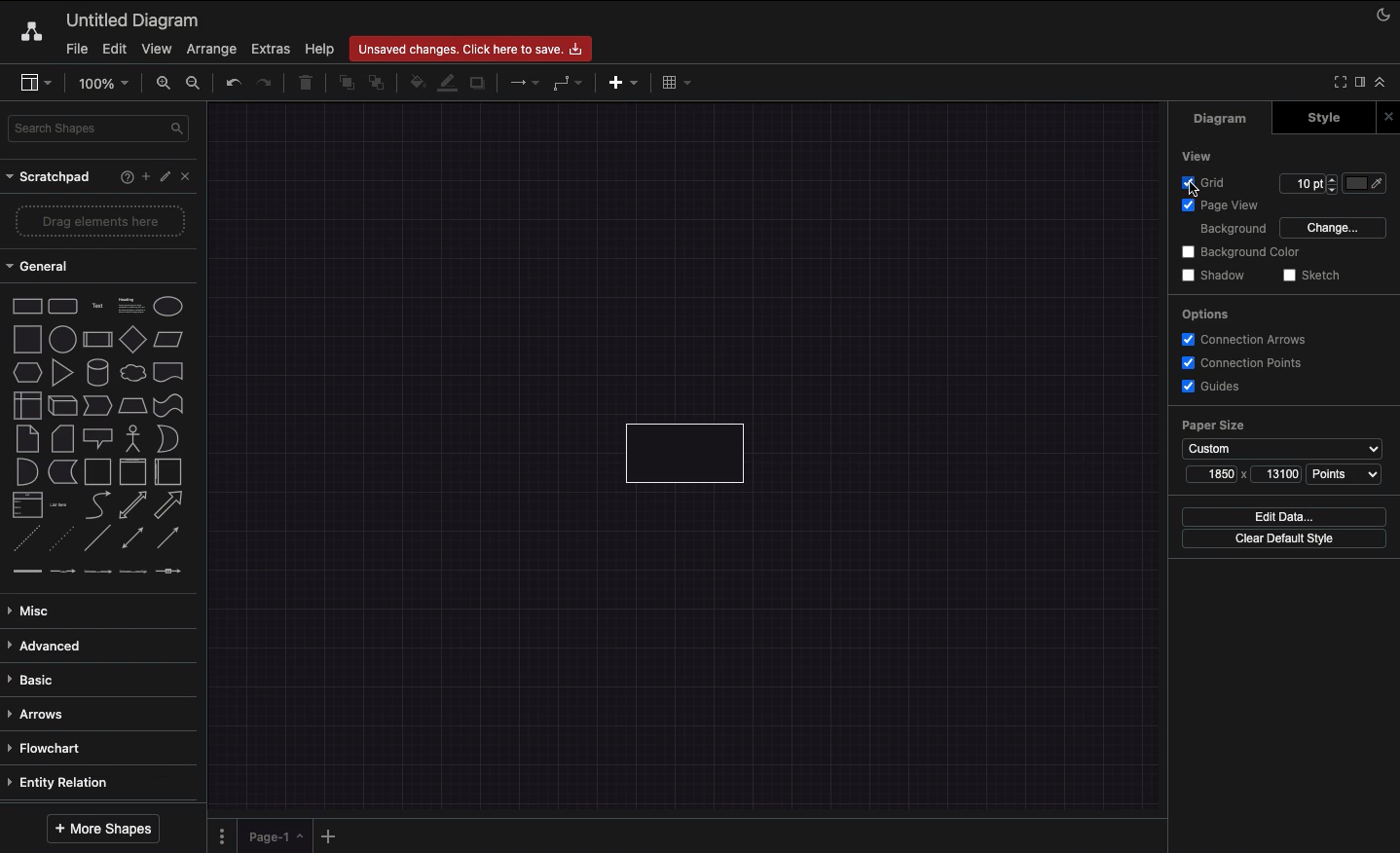 Image resolution: width=1400 pixels, height=853 pixels. What do you see at coordinates (522, 83) in the screenshot?
I see `Connection ` at bounding box center [522, 83].